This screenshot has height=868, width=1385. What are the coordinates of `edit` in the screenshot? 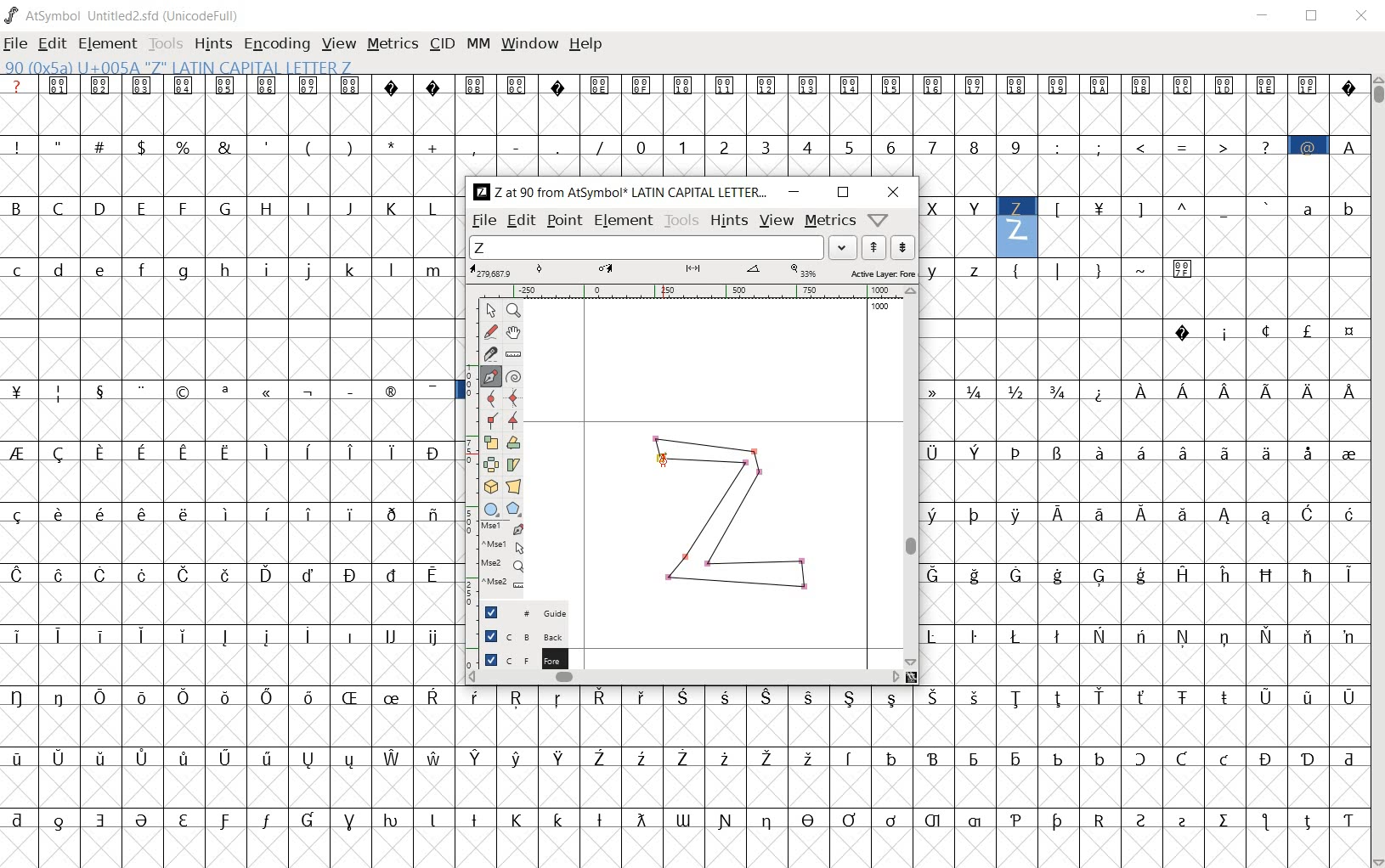 It's located at (520, 222).